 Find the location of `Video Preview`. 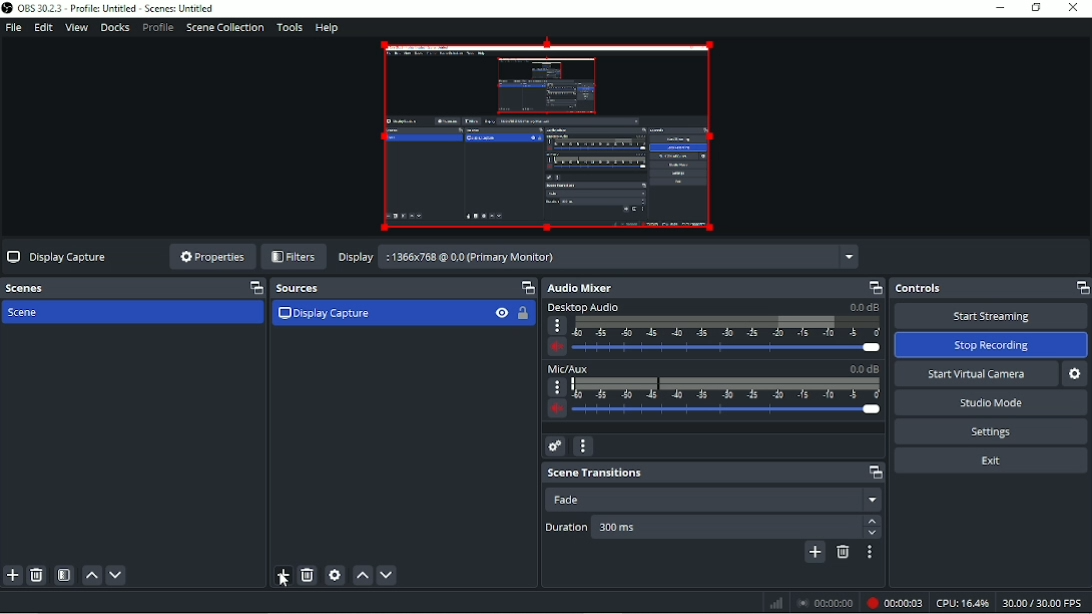

Video Preview is located at coordinates (545, 137).